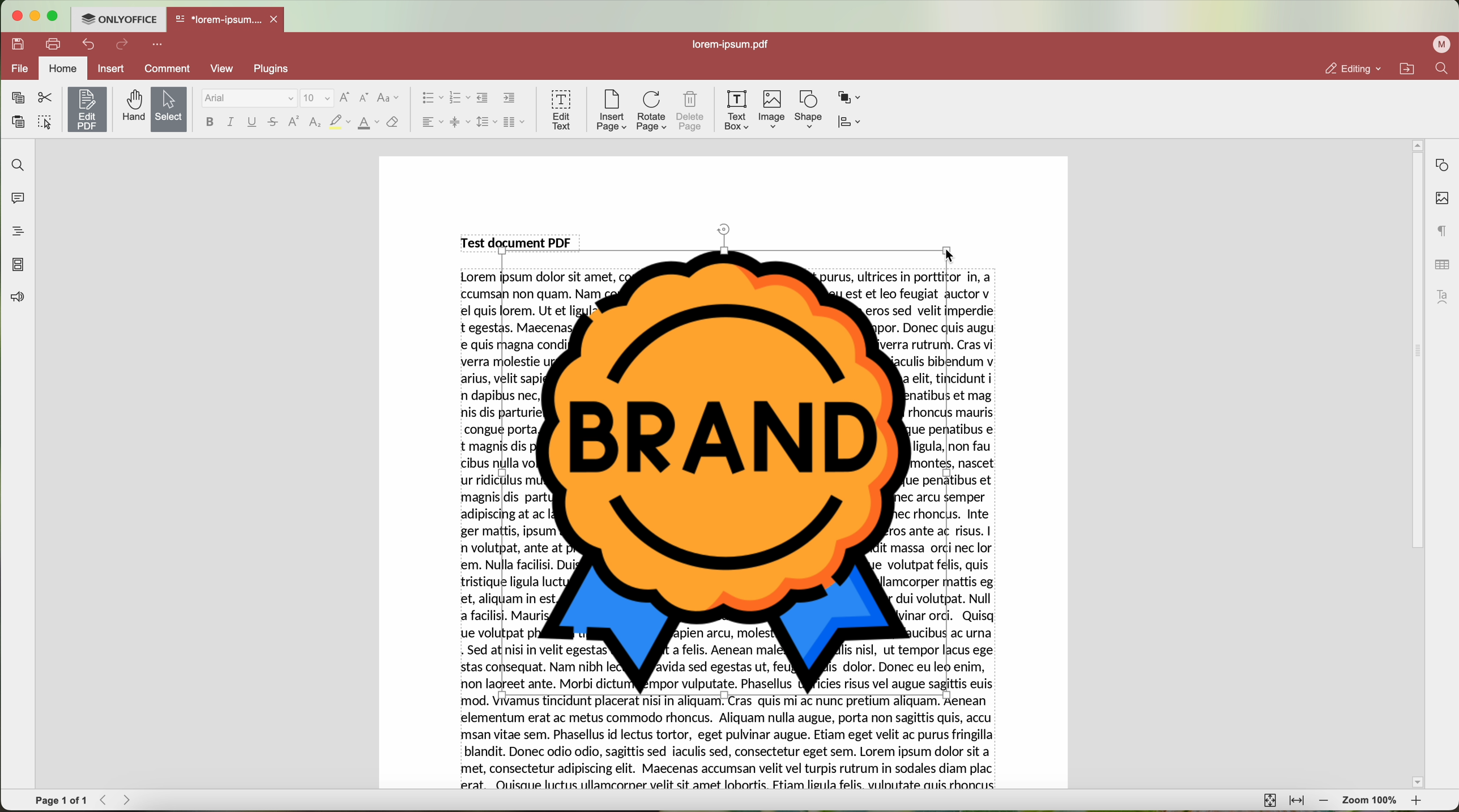 This screenshot has width=1459, height=812. I want to click on select, so click(169, 110).